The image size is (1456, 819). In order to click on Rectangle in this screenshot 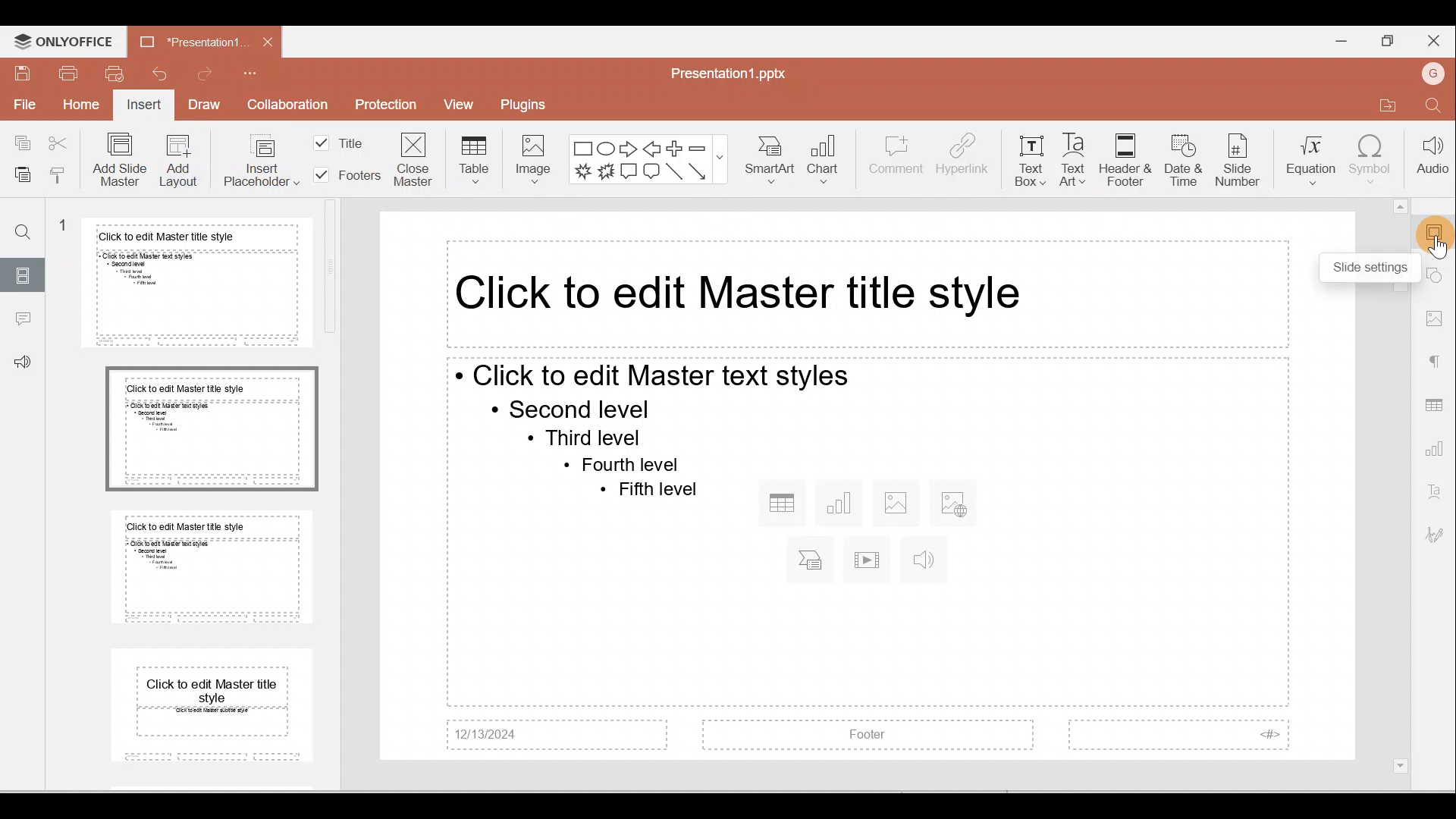, I will do `click(582, 147)`.